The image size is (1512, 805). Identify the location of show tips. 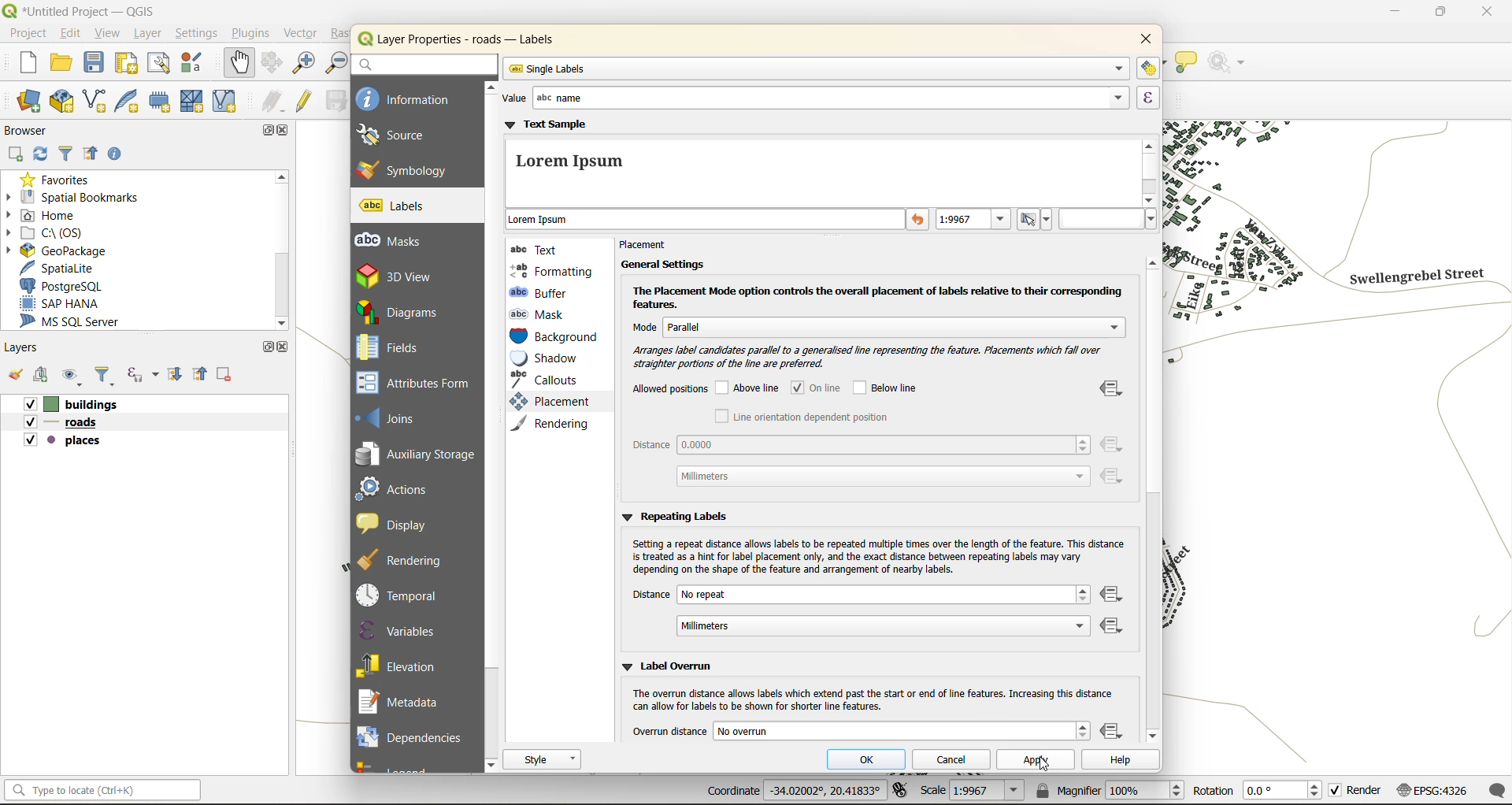
(1187, 63).